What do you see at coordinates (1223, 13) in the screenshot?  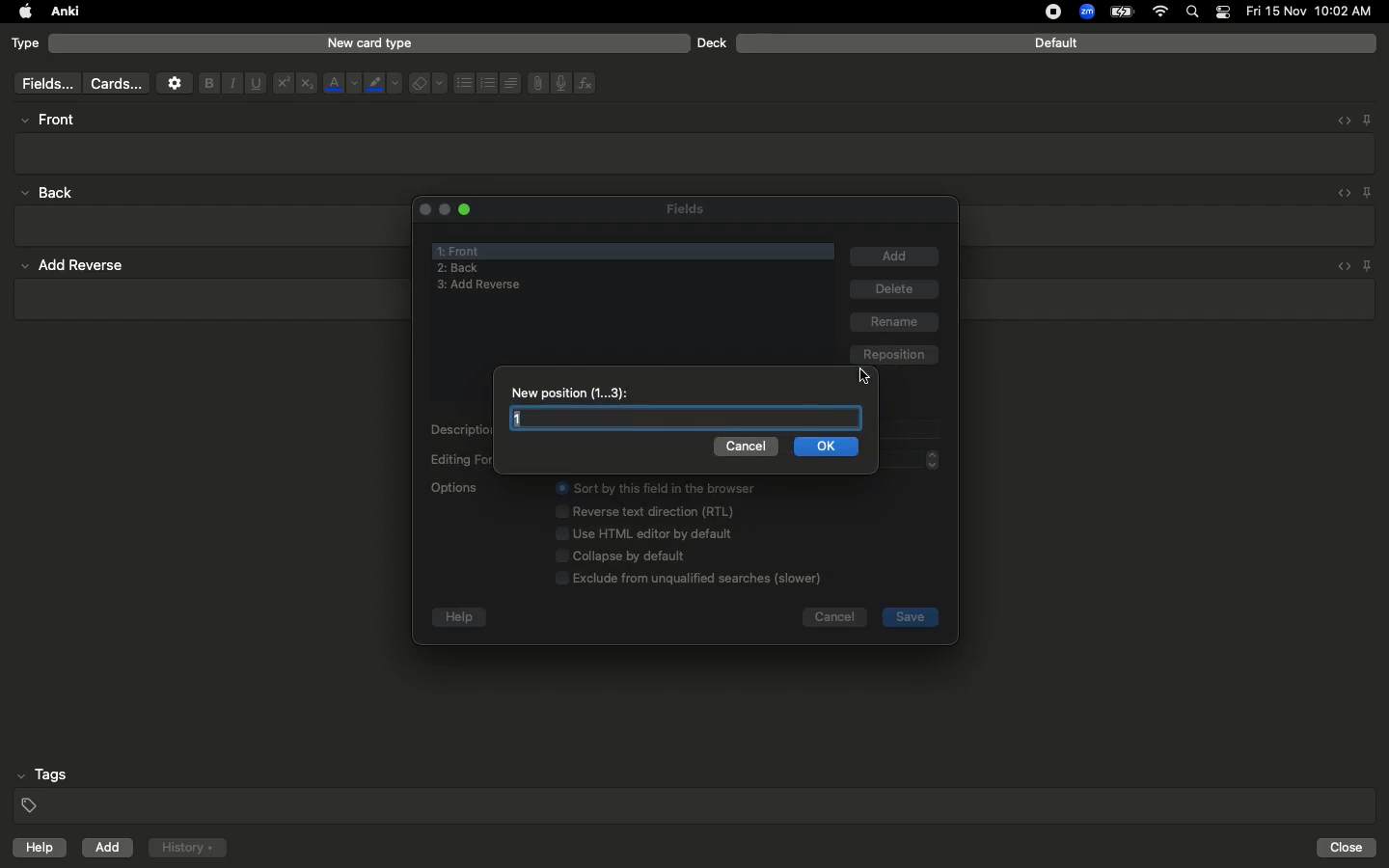 I see `Notification bar` at bounding box center [1223, 13].